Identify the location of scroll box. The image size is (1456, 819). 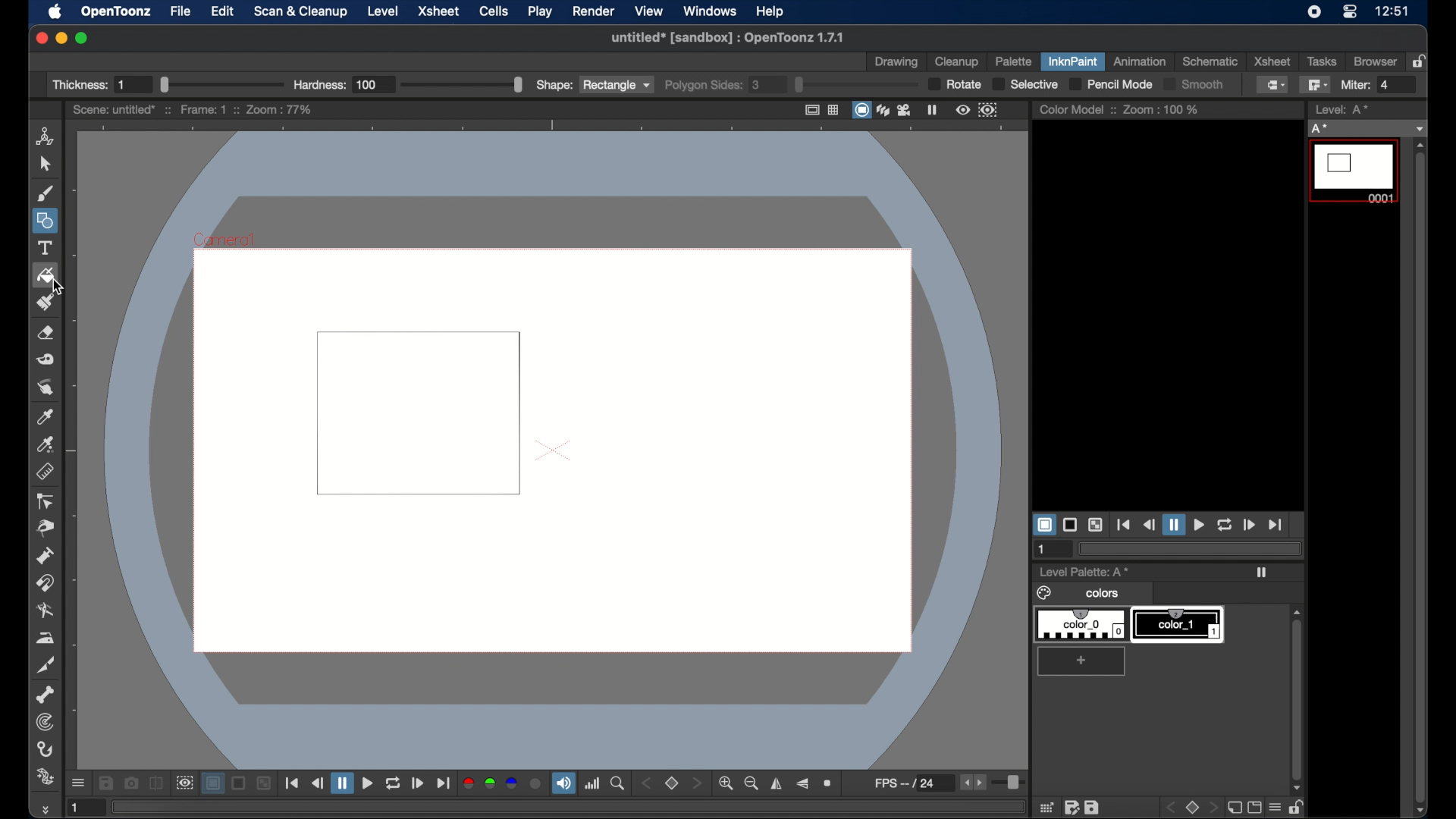
(1420, 477).